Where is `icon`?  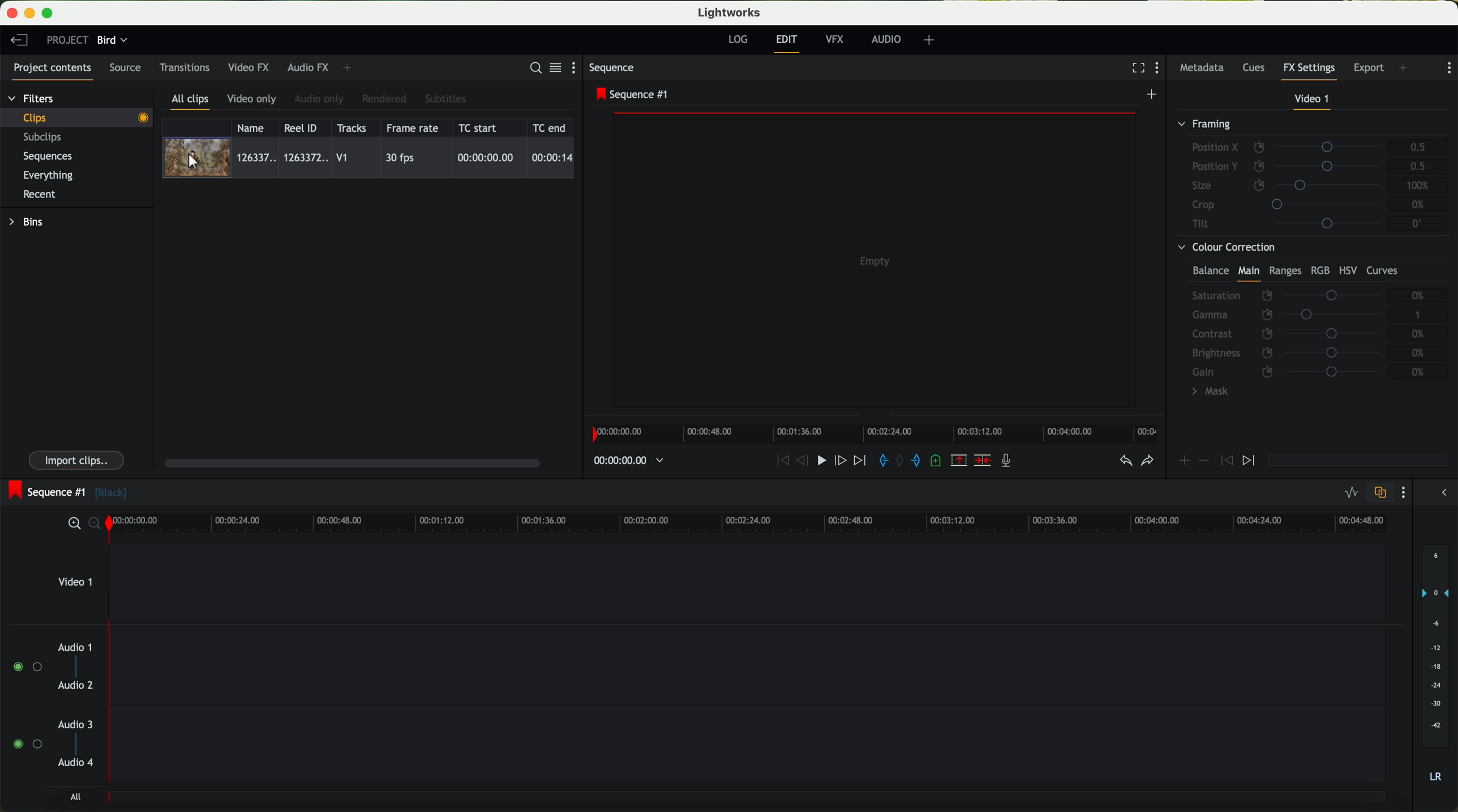 icon is located at coordinates (1183, 462).